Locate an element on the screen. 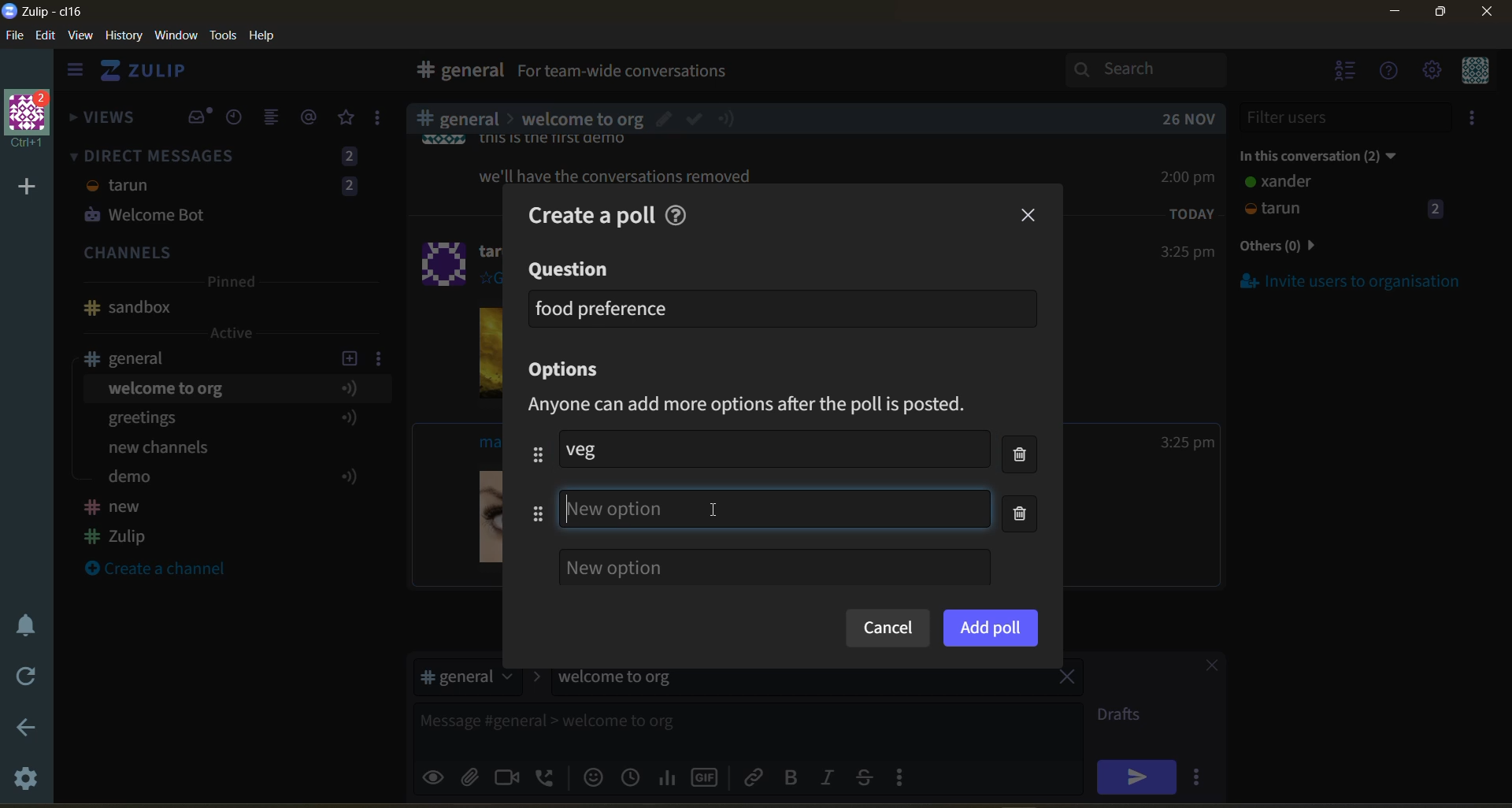 This screenshot has width=1512, height=808. add voice call is located at coordinates (547, 776).